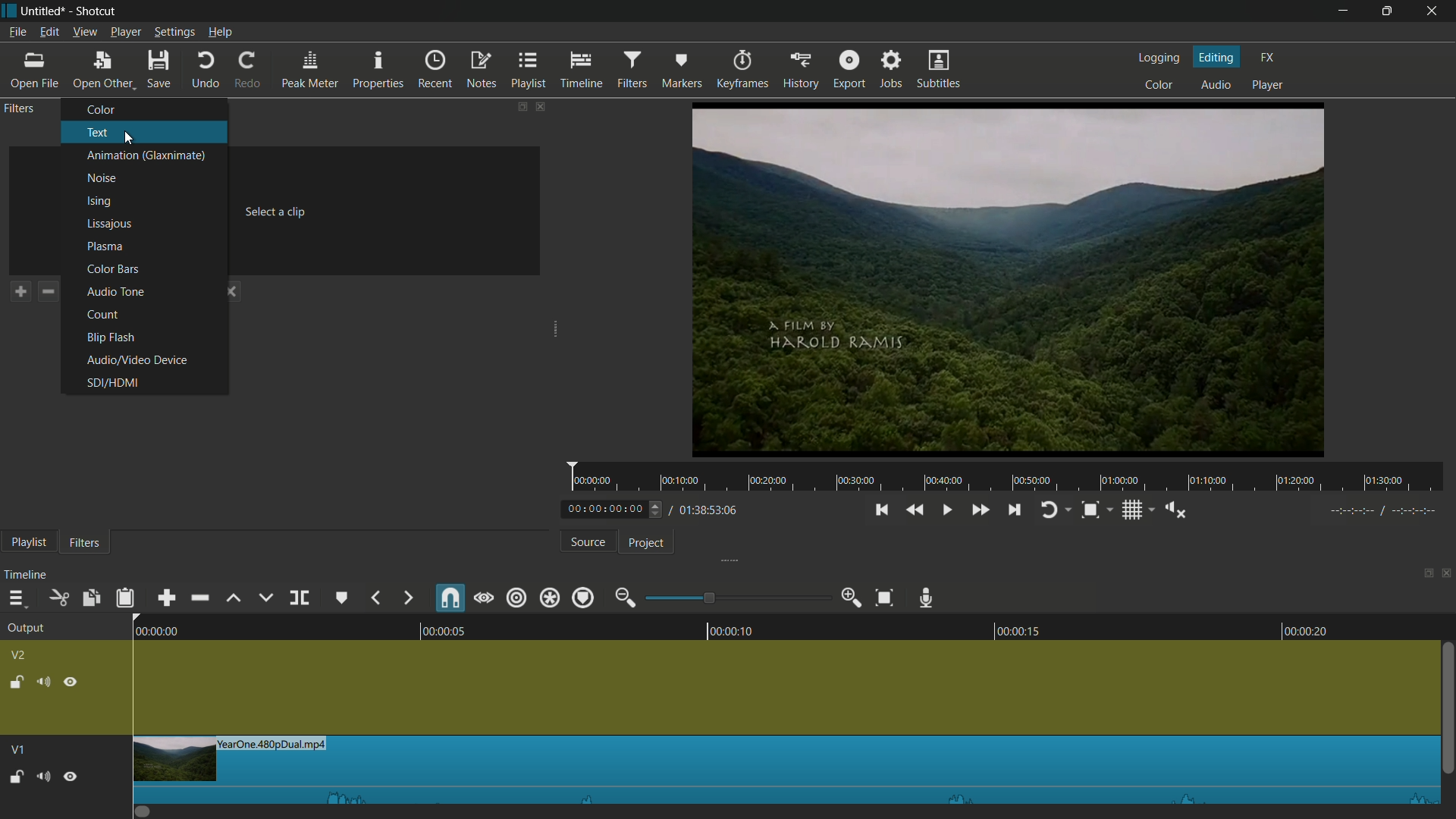  I want to click on undo, so click(206, 71).